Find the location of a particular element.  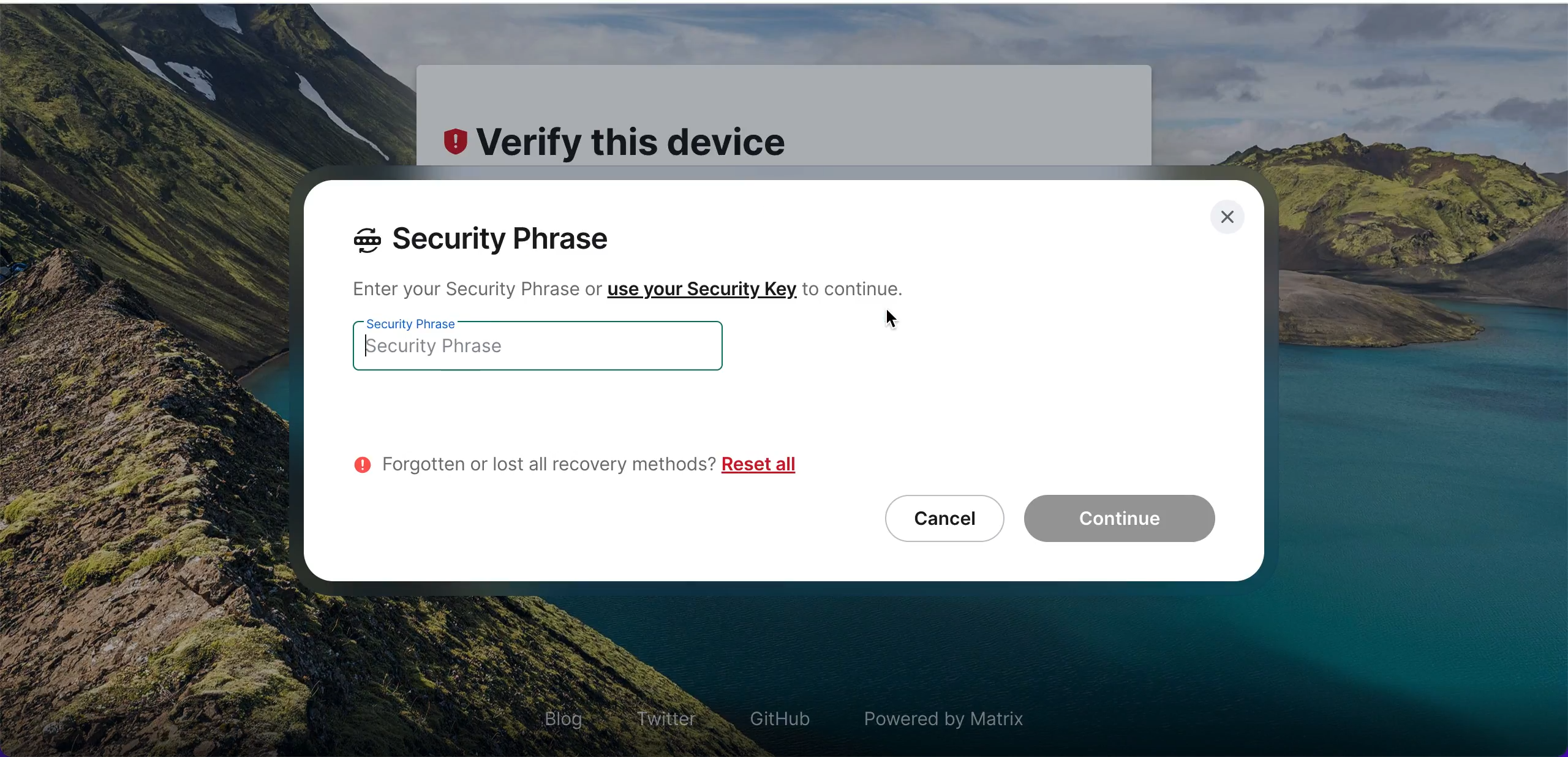

to continue is located at coordinates (859, 288).